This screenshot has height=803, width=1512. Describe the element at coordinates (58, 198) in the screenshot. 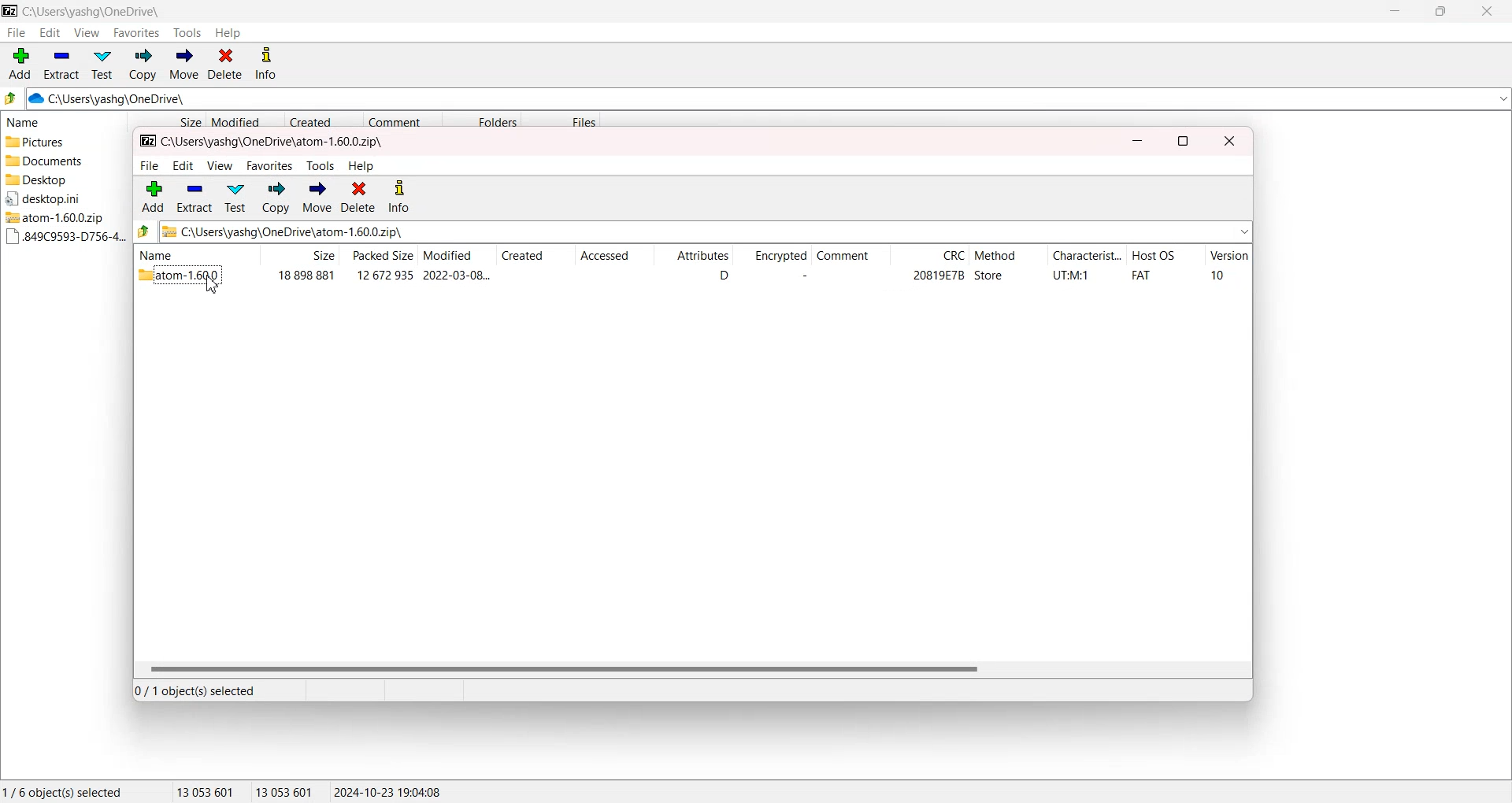

I see `Desktop File` at that location.